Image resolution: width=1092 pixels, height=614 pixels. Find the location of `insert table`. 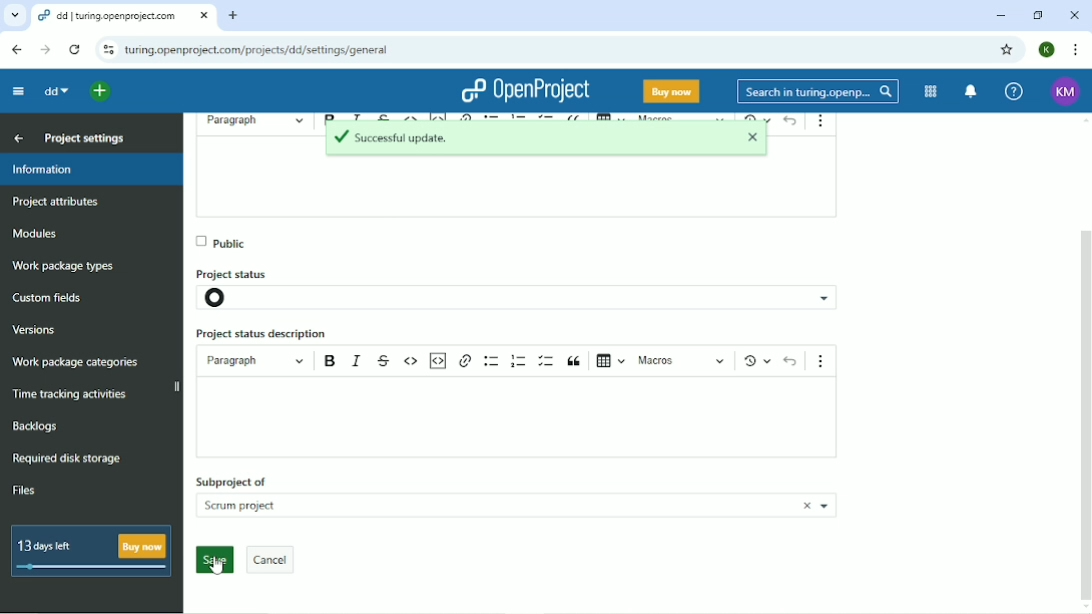

insert table is located at coordinates (609, 359).